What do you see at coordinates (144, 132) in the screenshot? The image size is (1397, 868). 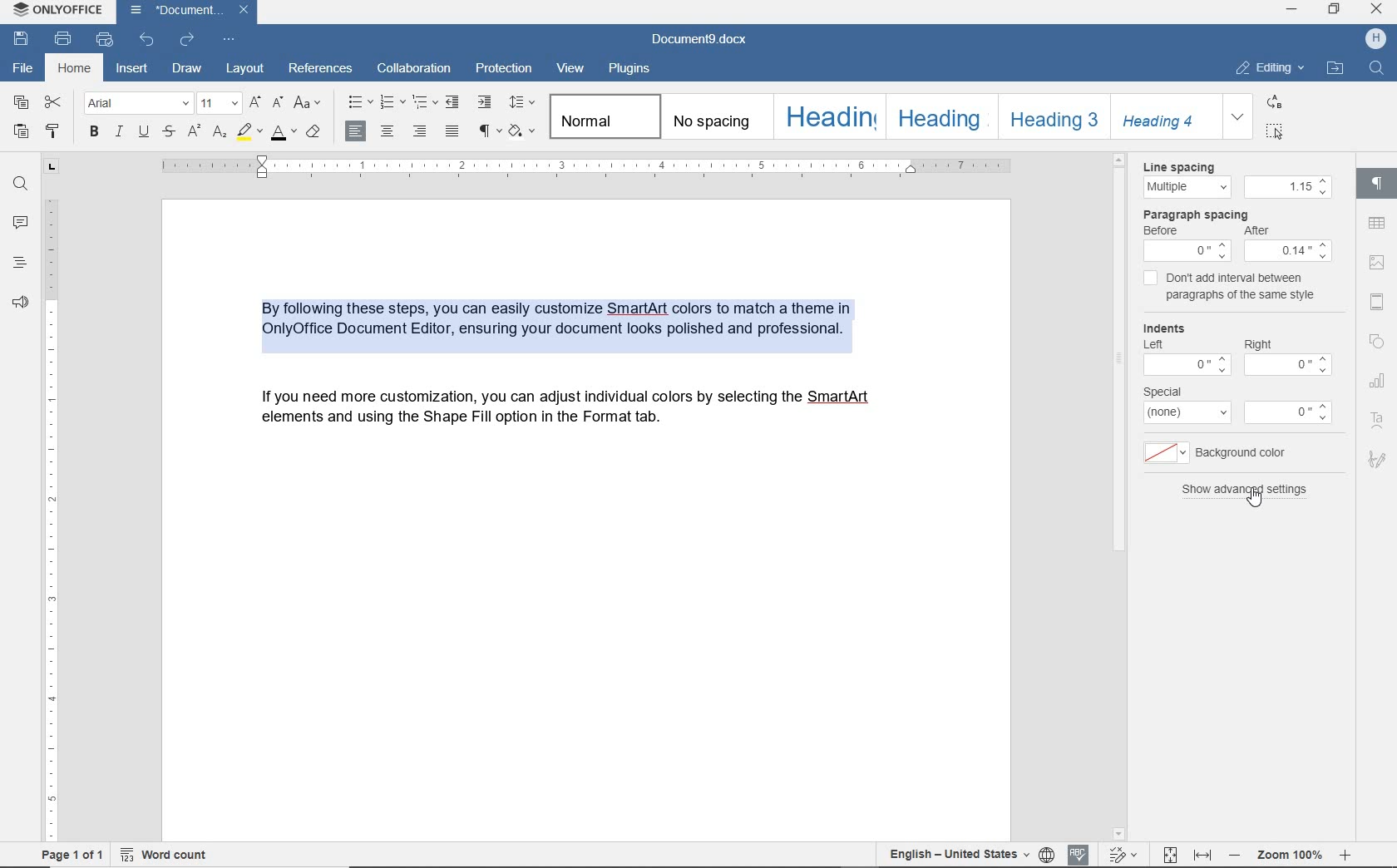 I see `underline` at bounding box center [144, 132].